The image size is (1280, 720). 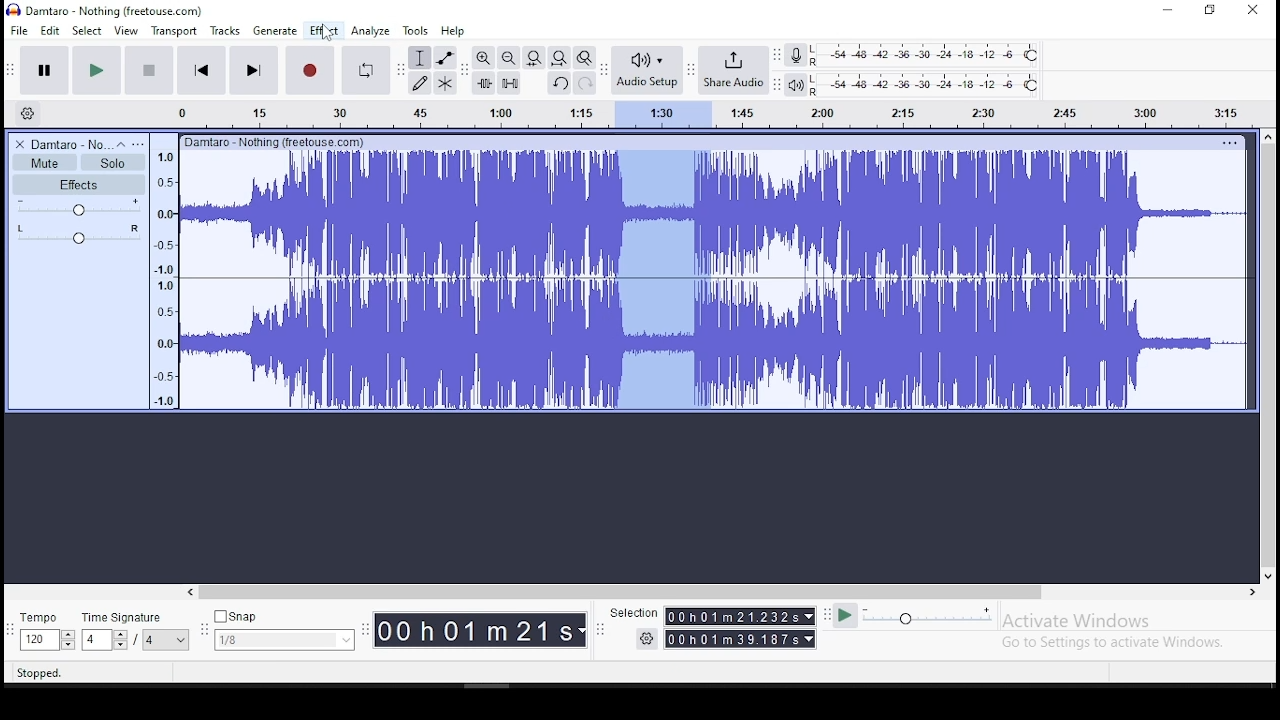 I want to click on Go to Settings to activate Windows., so click(x=1116, y=642).